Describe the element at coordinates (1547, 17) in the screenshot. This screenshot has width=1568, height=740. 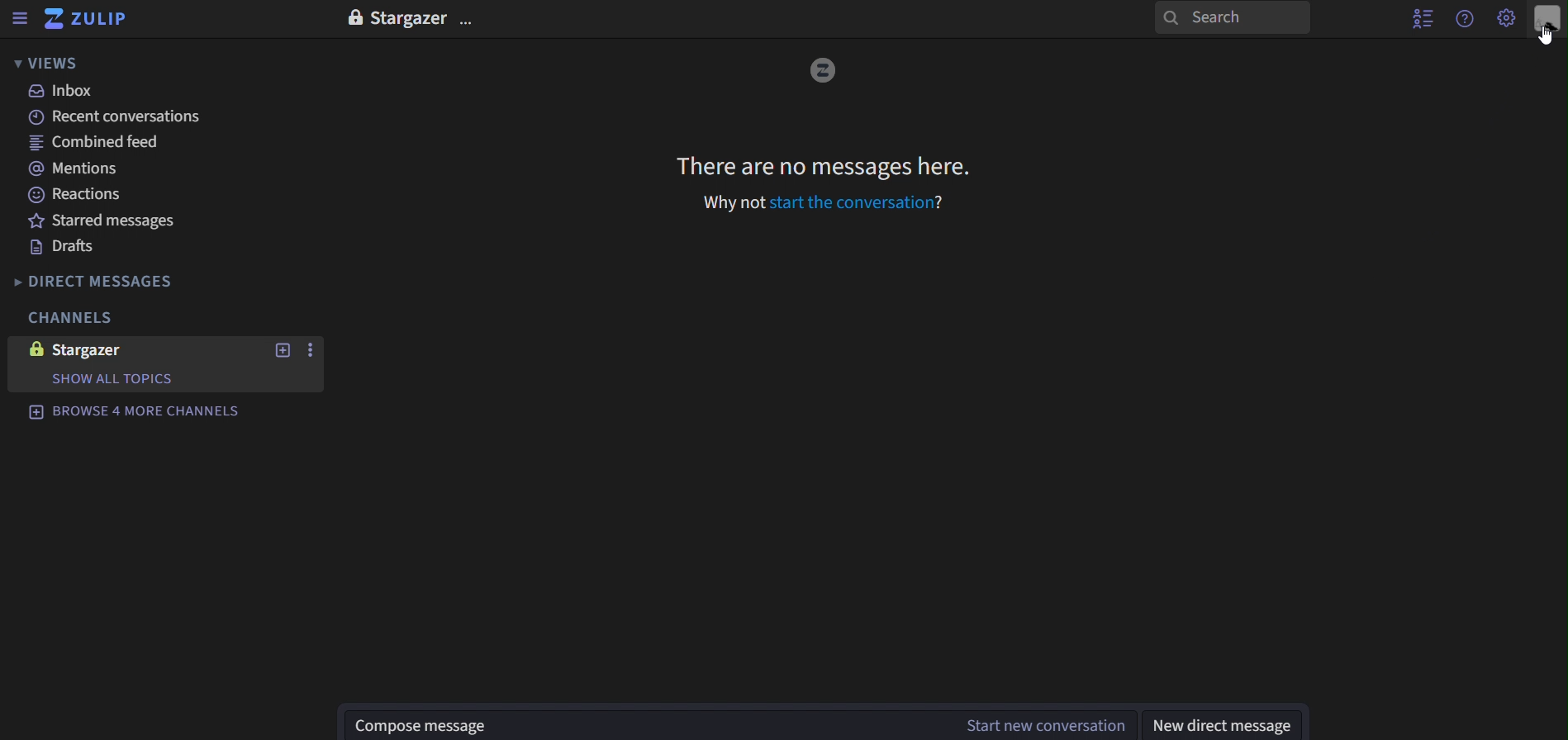
I see `personal menu` at that location.